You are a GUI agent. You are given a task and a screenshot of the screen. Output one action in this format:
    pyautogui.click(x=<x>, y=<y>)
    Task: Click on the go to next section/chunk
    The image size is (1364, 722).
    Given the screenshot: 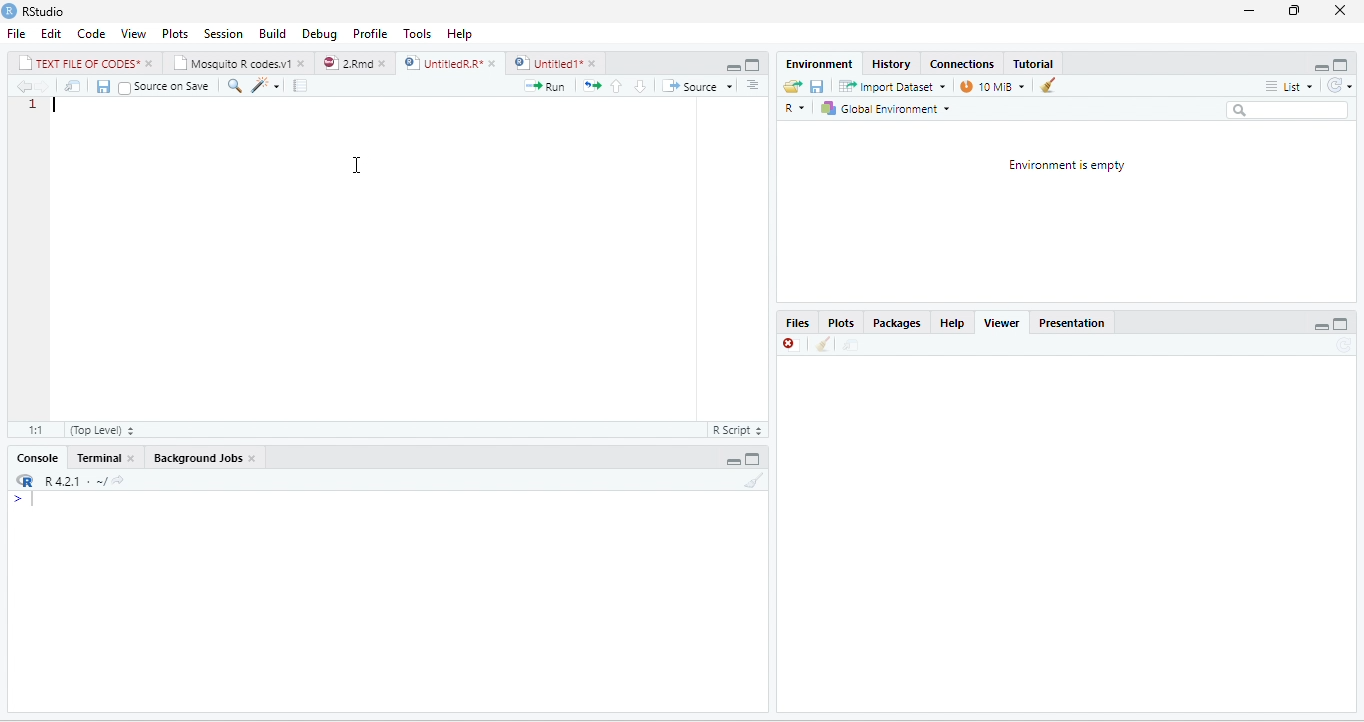 What is the action you would take?
    pyautogui.click(x=639, y=85)
    